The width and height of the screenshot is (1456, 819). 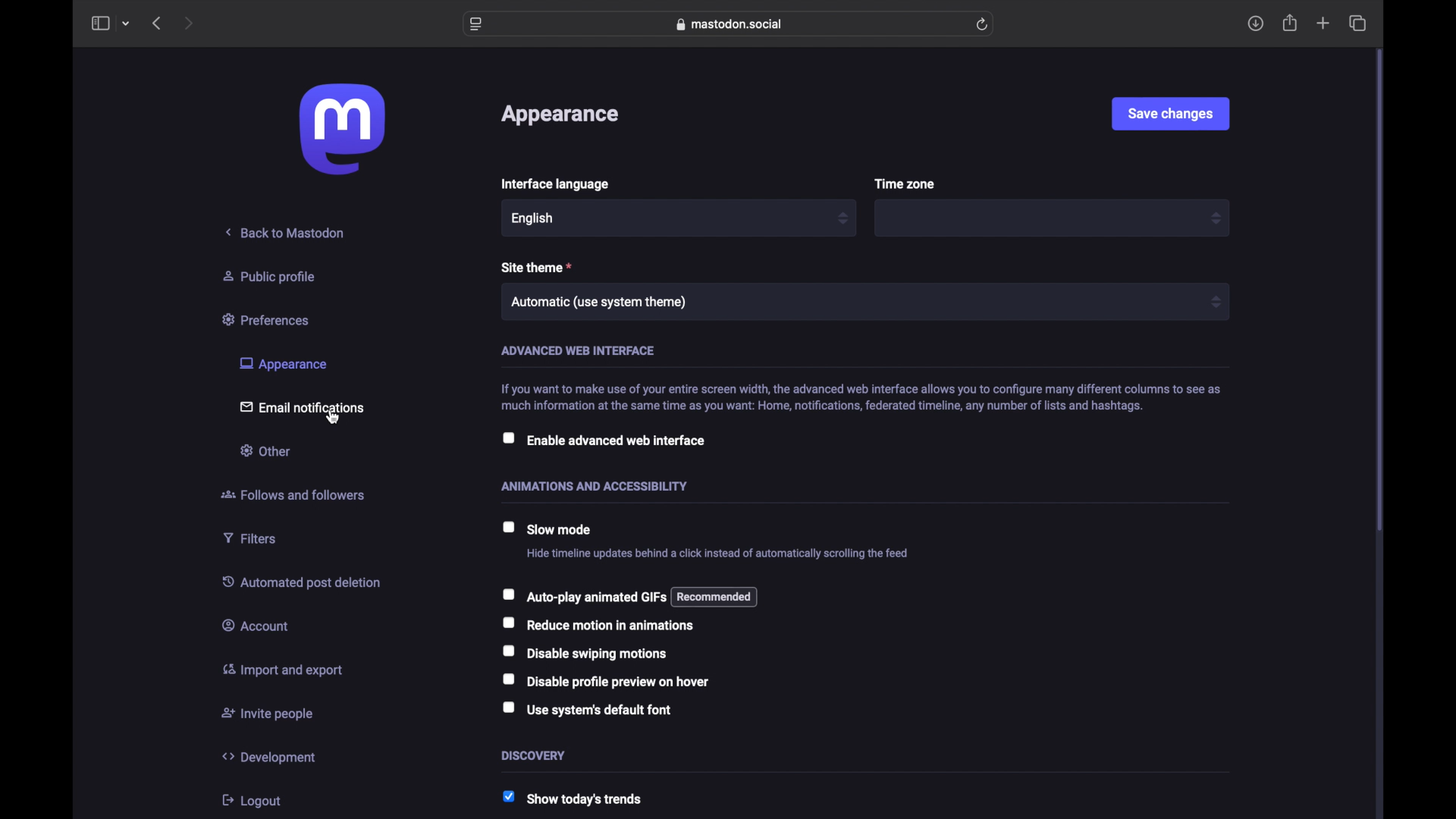 What do you see at coordinates (249, 538) in the screenshot?
I see `filters` at bounding box center [249, 538].